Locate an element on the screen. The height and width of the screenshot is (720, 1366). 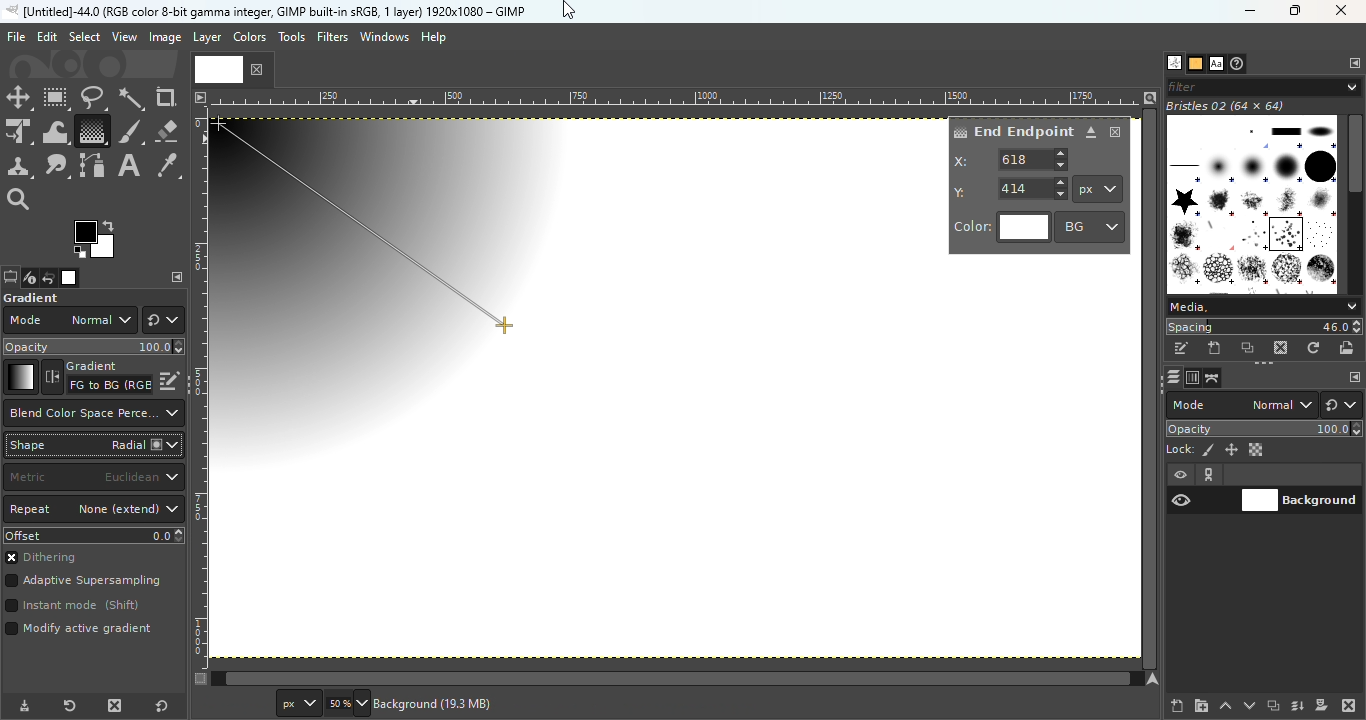
Raise this layer one step in the layer stack is located at coordinates (1226, 706).